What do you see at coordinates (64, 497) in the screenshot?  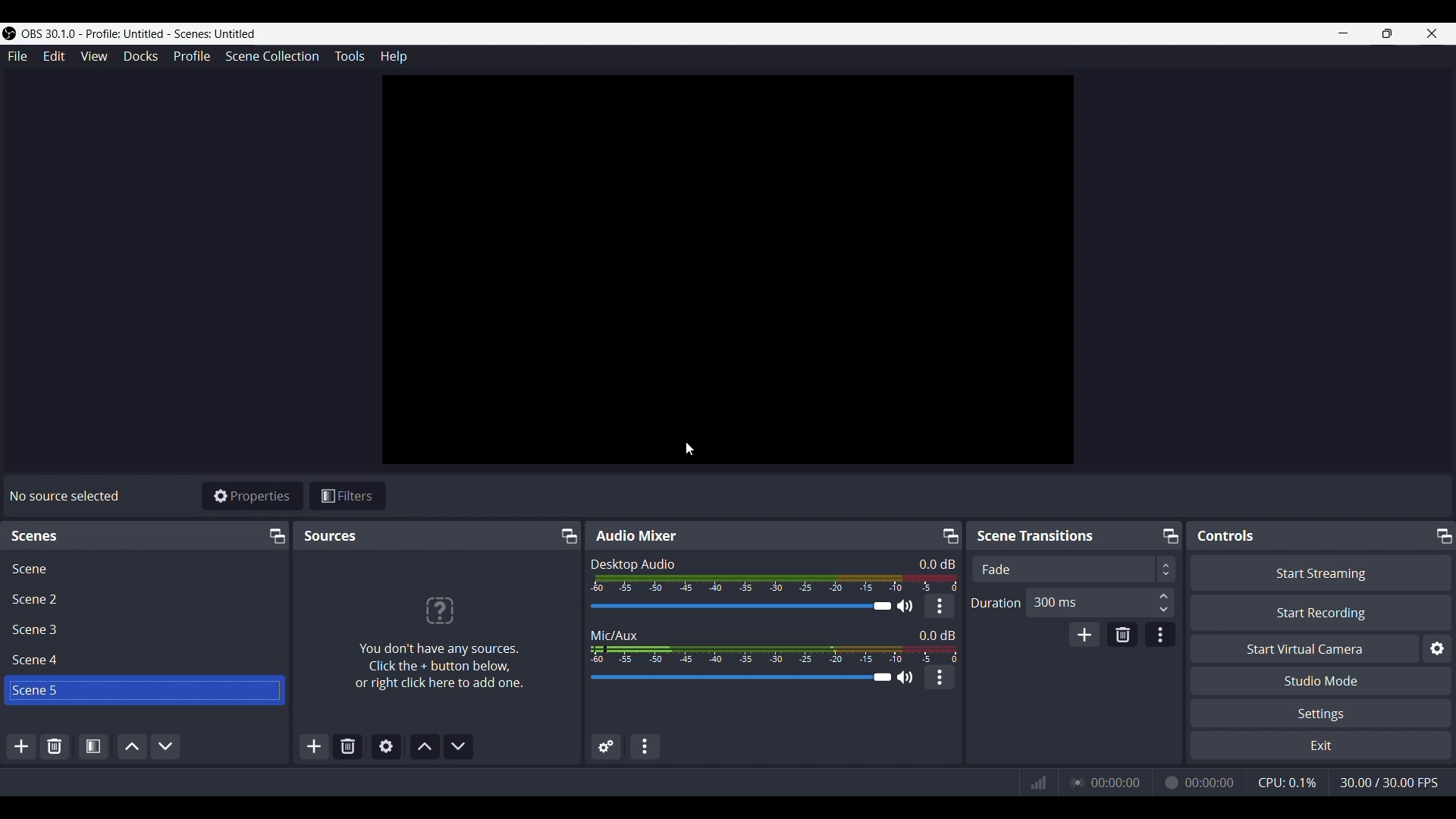 I see `Text` at bounding box center [64, 497].